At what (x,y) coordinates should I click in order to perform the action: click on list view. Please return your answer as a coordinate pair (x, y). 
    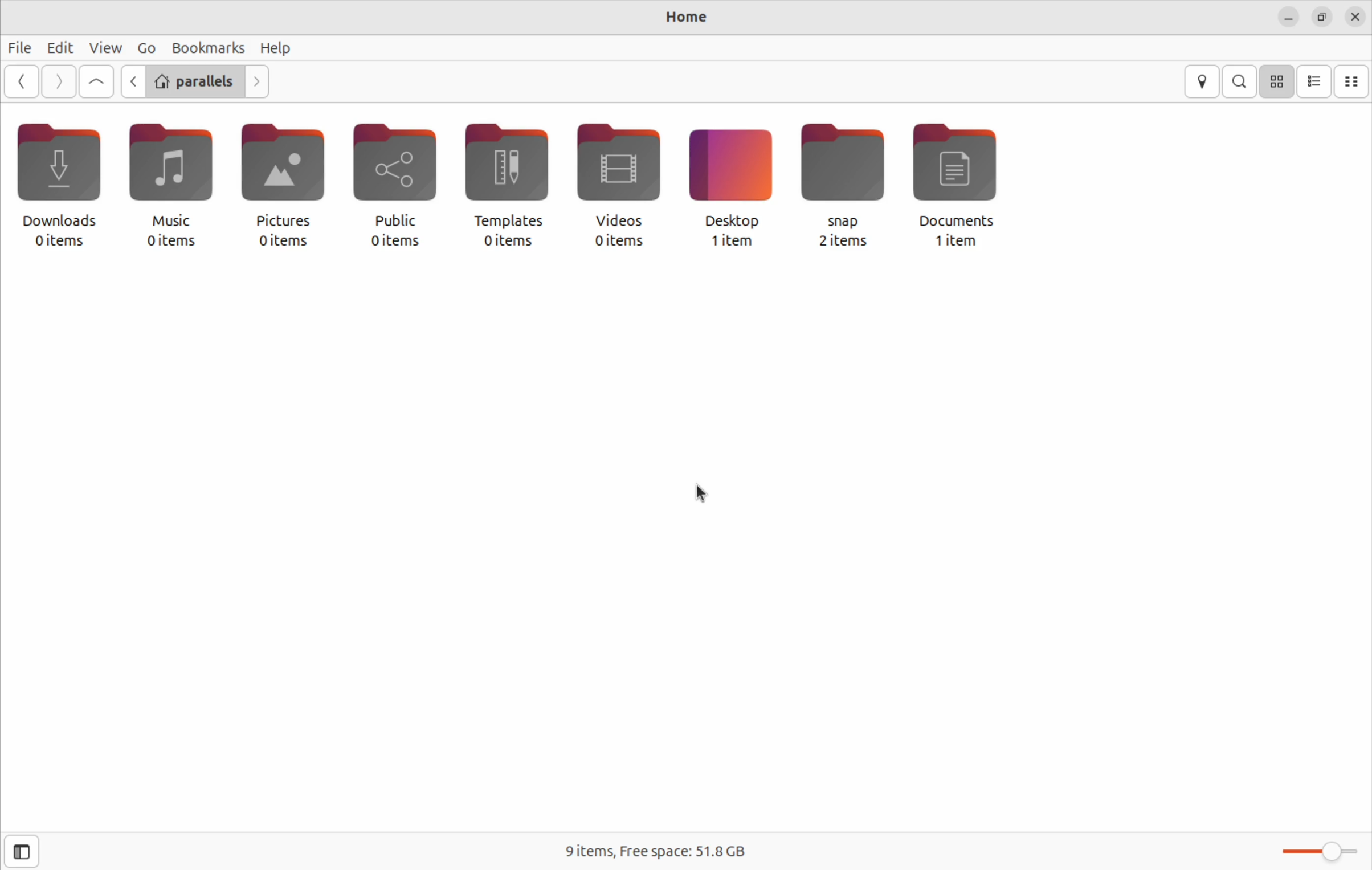
    Looking at the image, I should click on (1315, 81).